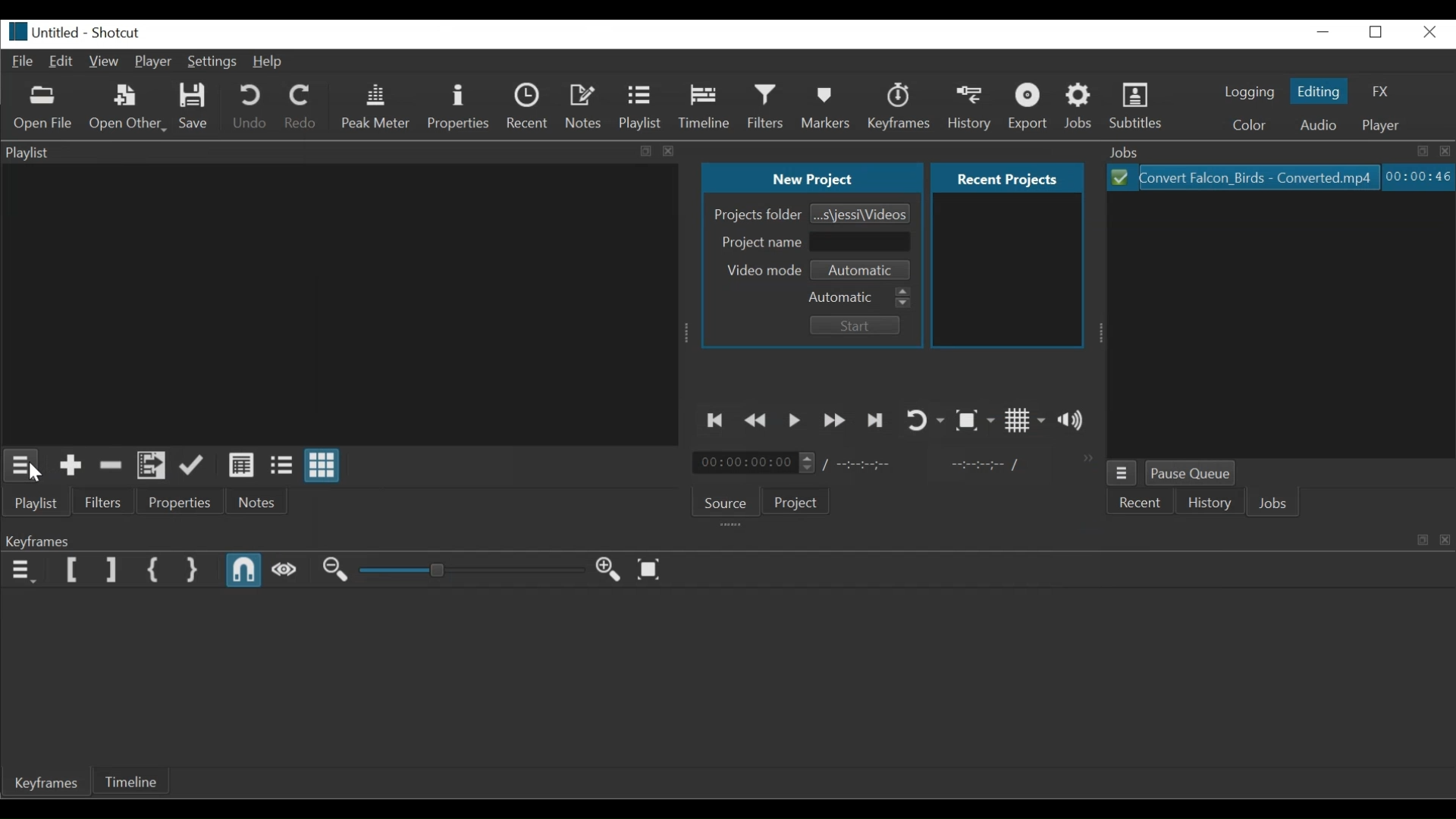  What do you see at coordinates (607, 570) in the screenshot?
I see `Zoom Keyframe in` at bounding box center [607, 570].